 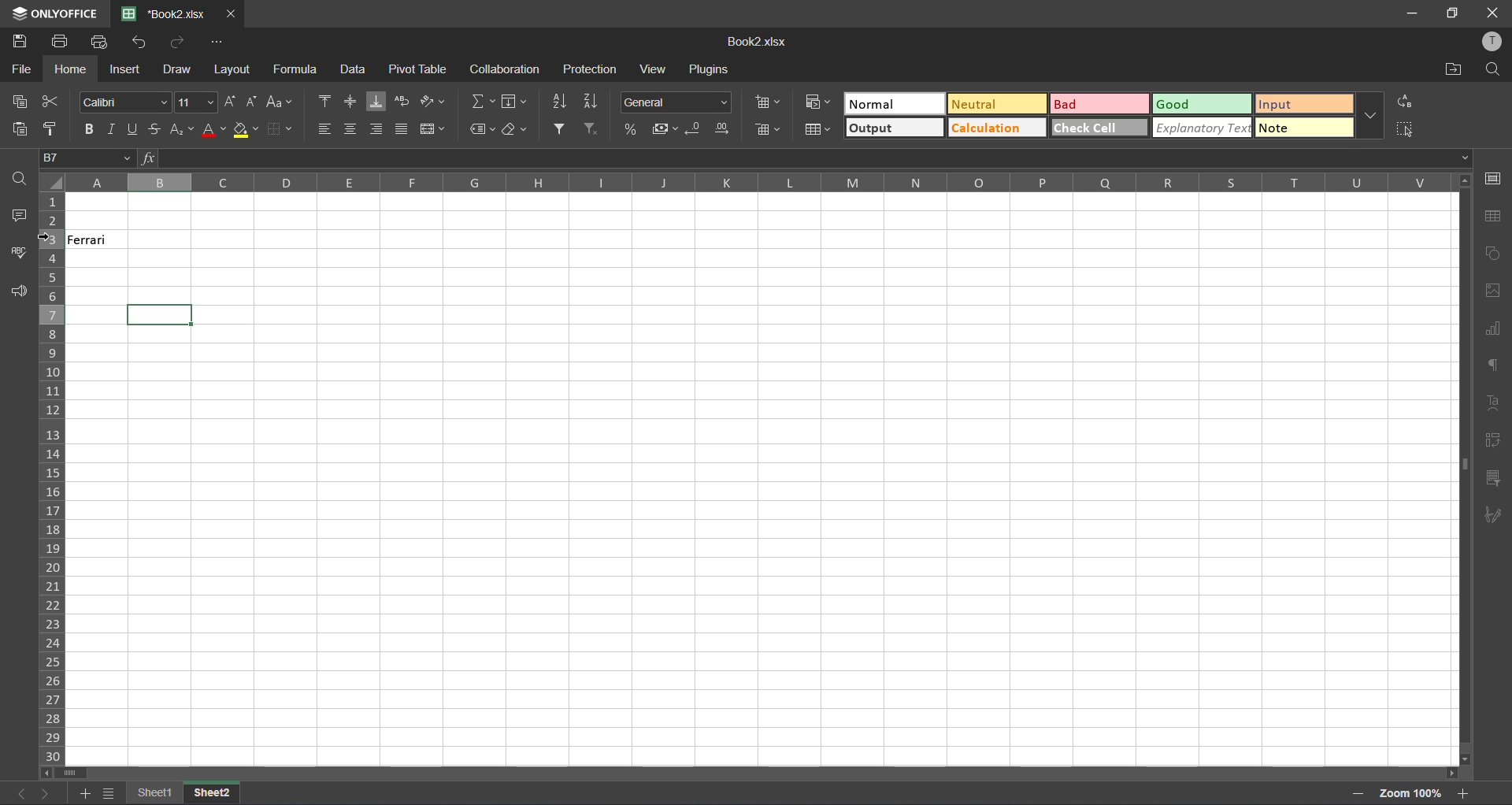 What do you see at coordinates (1462, 792) in the screenshot?
I see `zoom  in` at bounding box center [1462, 792].